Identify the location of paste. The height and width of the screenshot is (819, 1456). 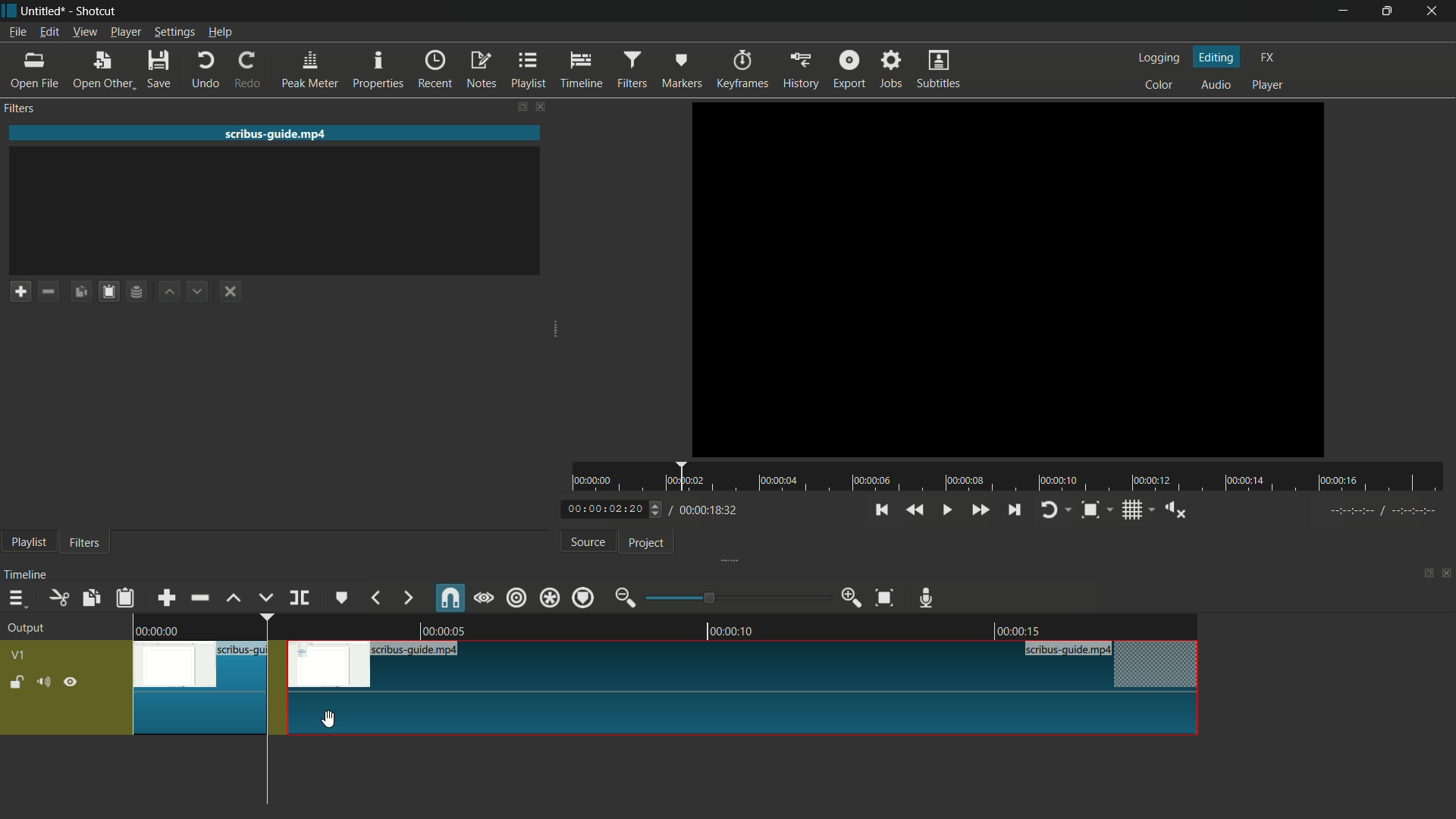
(124, 600).